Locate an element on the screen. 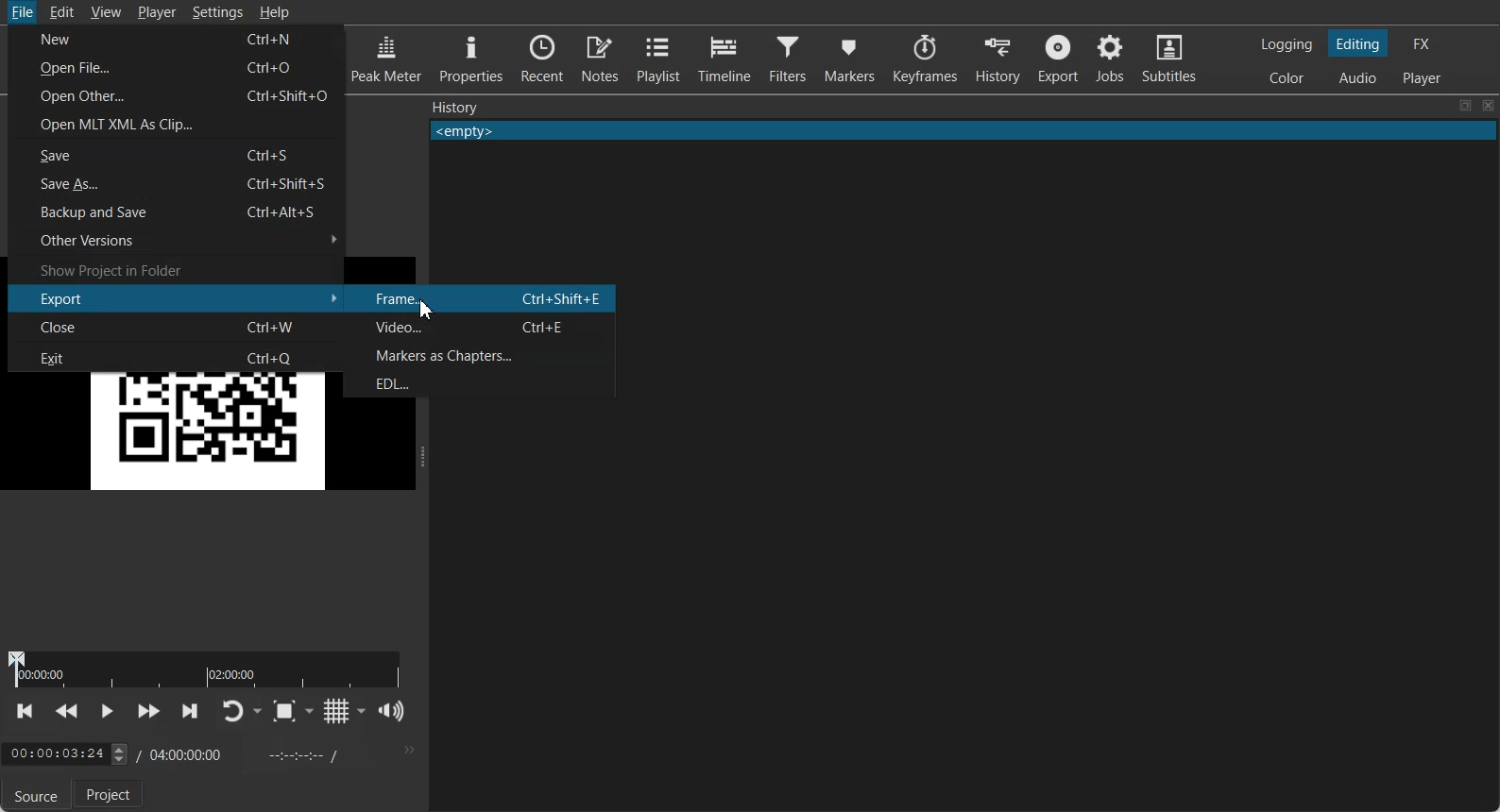  Save As is located at coordinates (104, 184).